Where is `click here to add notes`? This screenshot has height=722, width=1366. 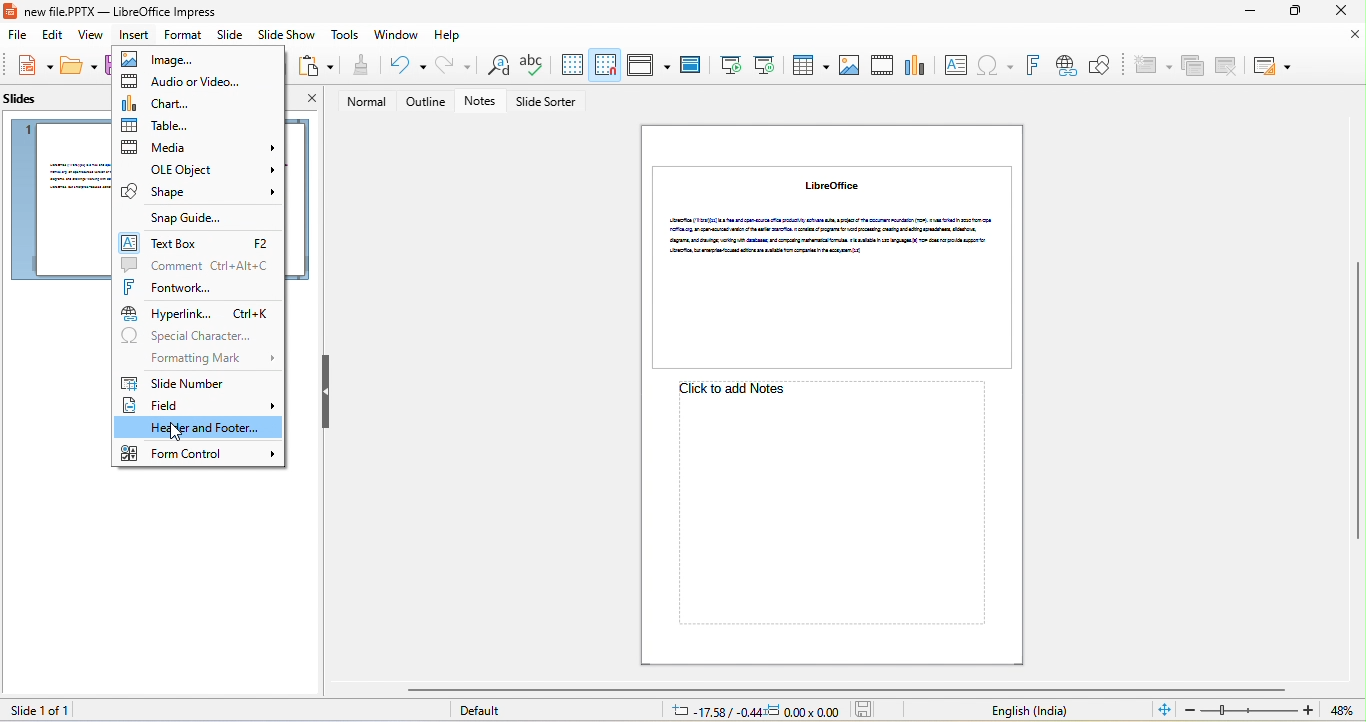 click here to add notes is located at coordinates (823, 508).